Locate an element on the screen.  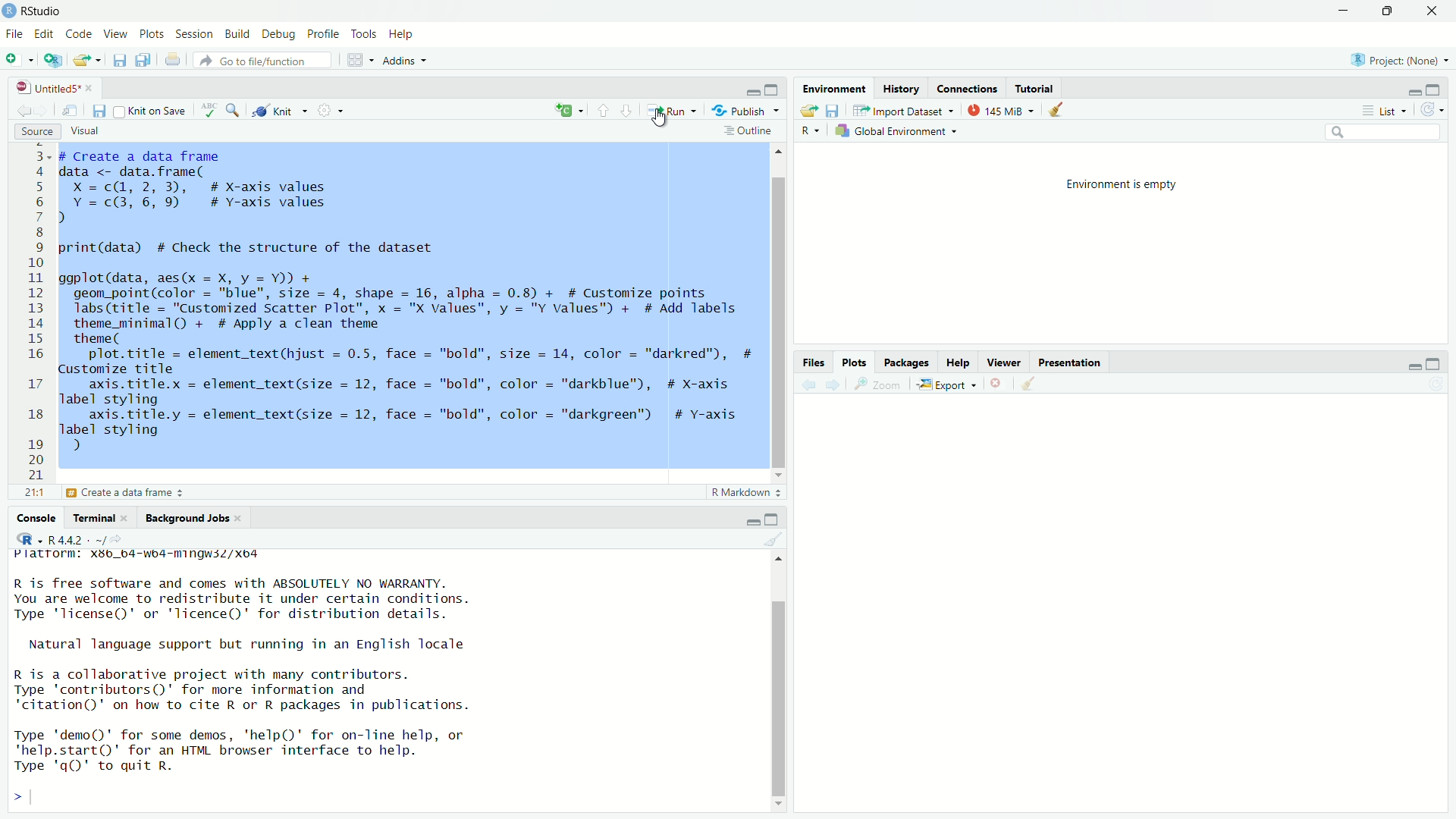
Liist is located at coordinates (1387, 111).